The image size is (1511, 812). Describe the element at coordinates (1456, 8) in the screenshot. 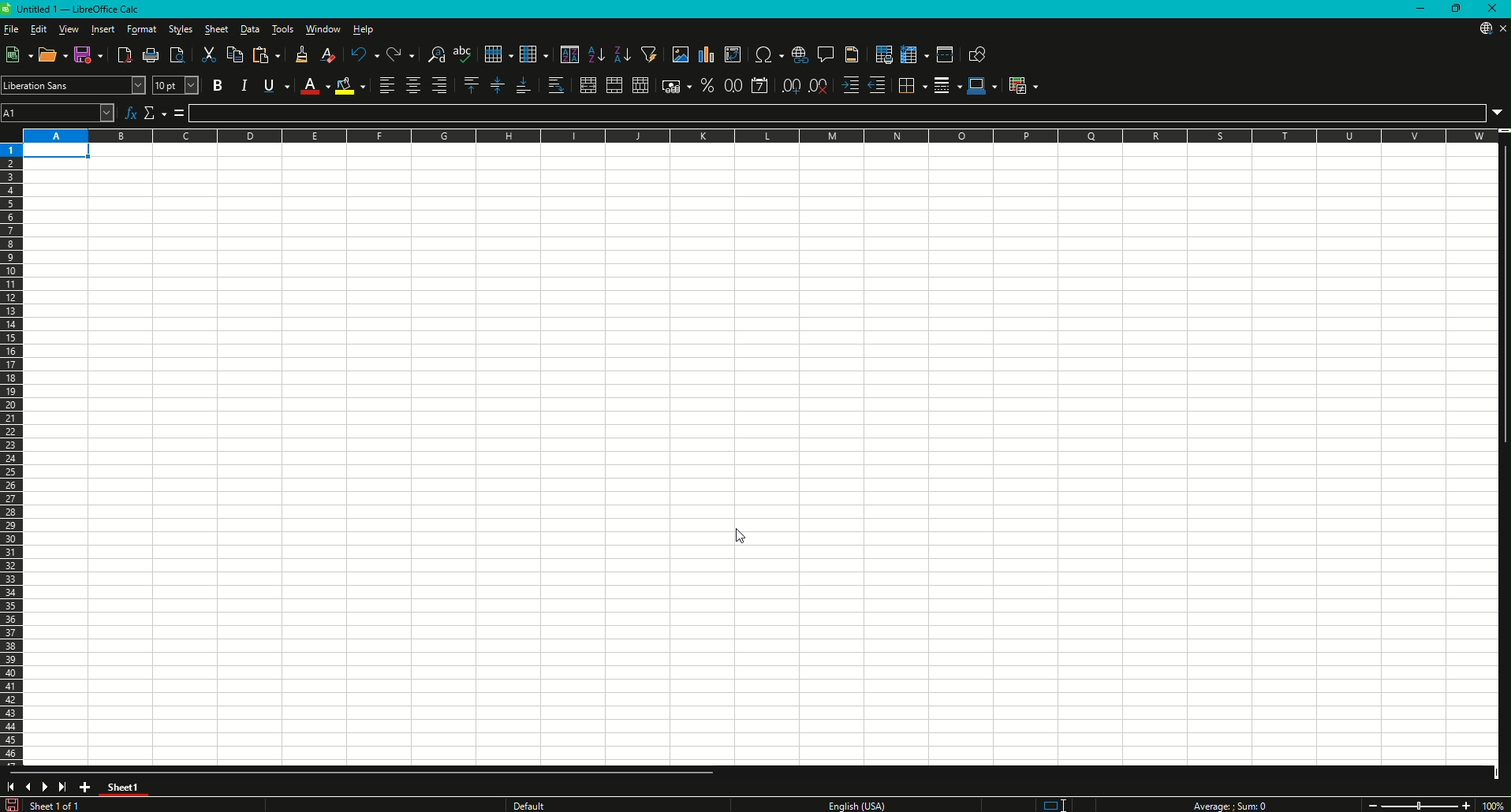

I see `Restore` at that location.